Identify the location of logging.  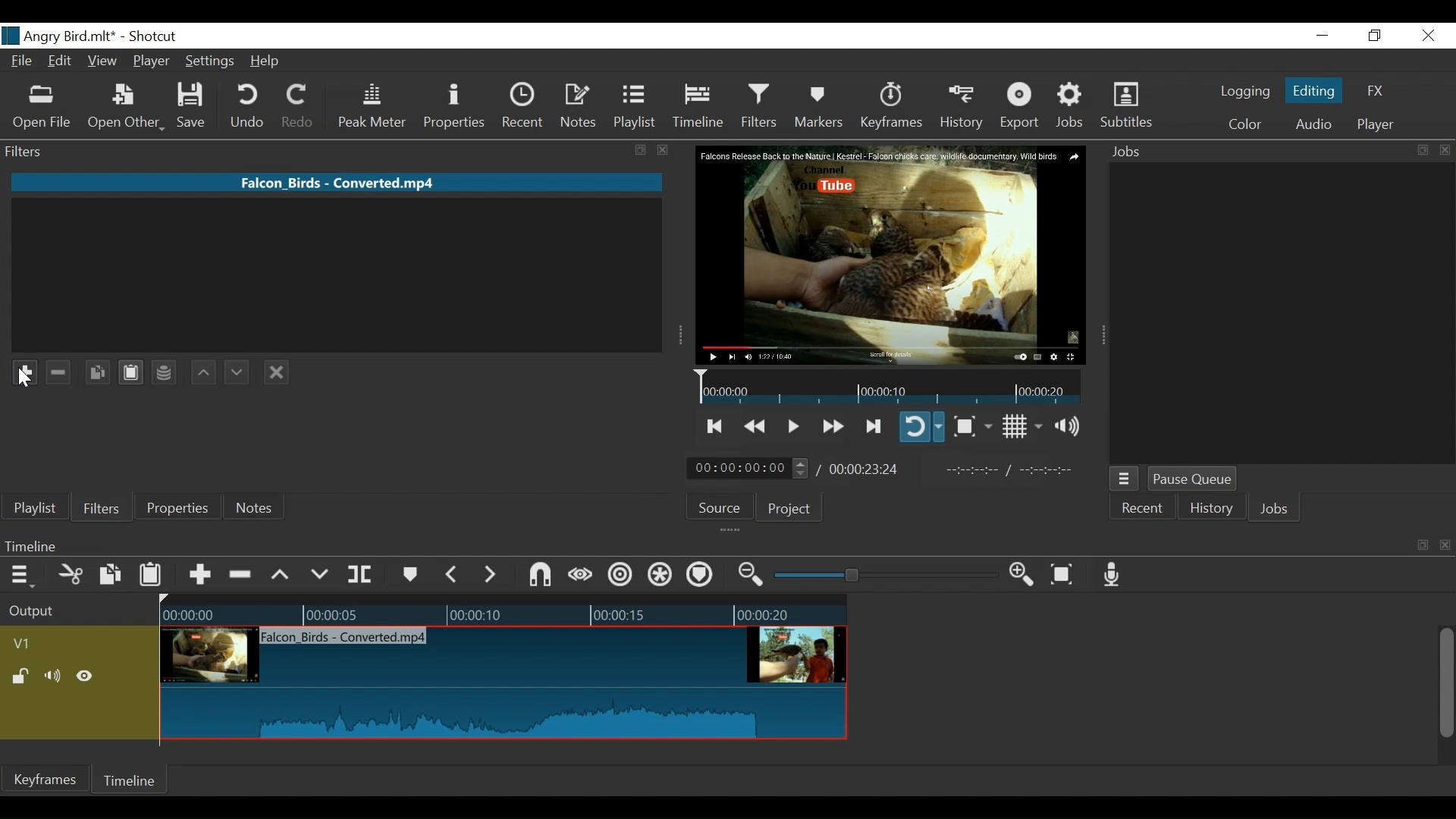
(1245, 93).